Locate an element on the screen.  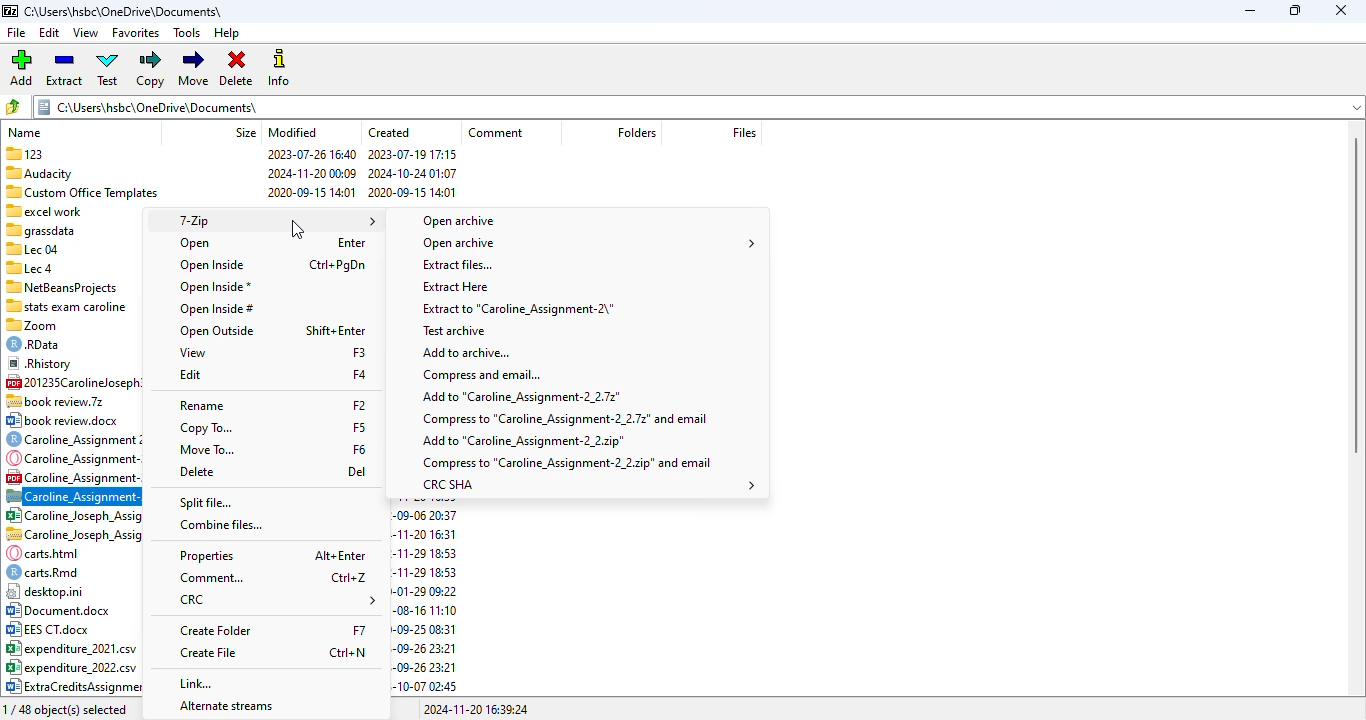
 Caroline _Assignment-2.... 196542 2023-10-06 15:41 2023-10-06 15:41 is located at coordinates (71, 476).